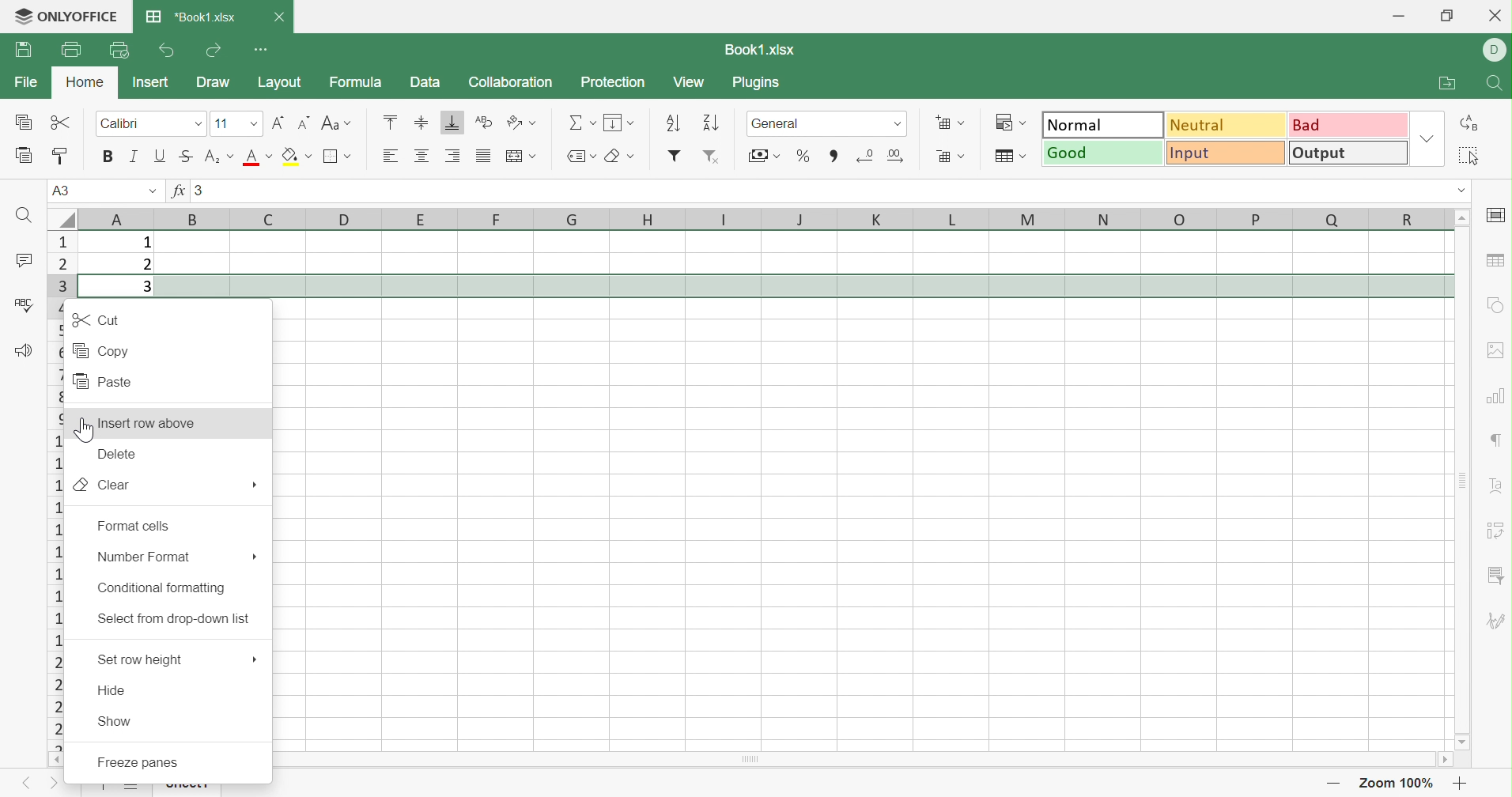 The height and width of the screenshot is (797, 1512). Describe the element at coordinates (1494, 263) in the screenshot. I see `Table settings` at that location.